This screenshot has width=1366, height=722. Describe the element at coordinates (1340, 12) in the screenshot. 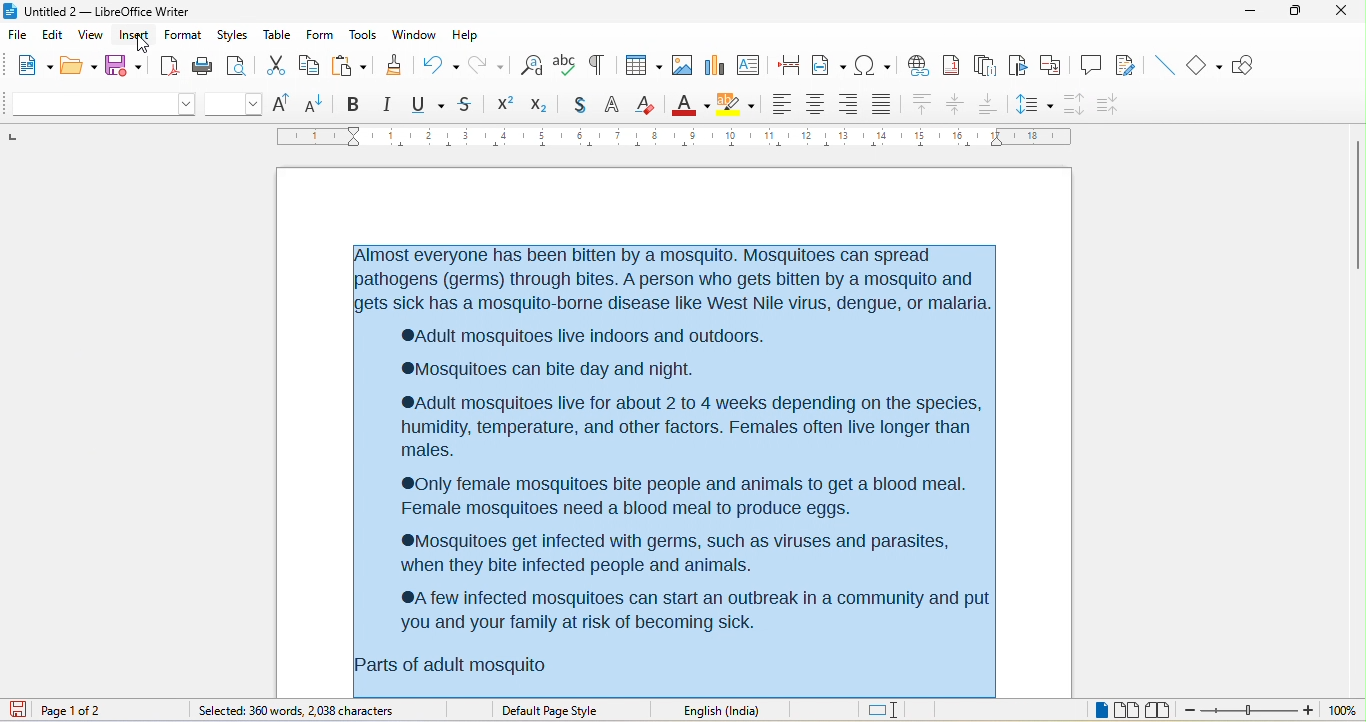

I see `close` at that location.